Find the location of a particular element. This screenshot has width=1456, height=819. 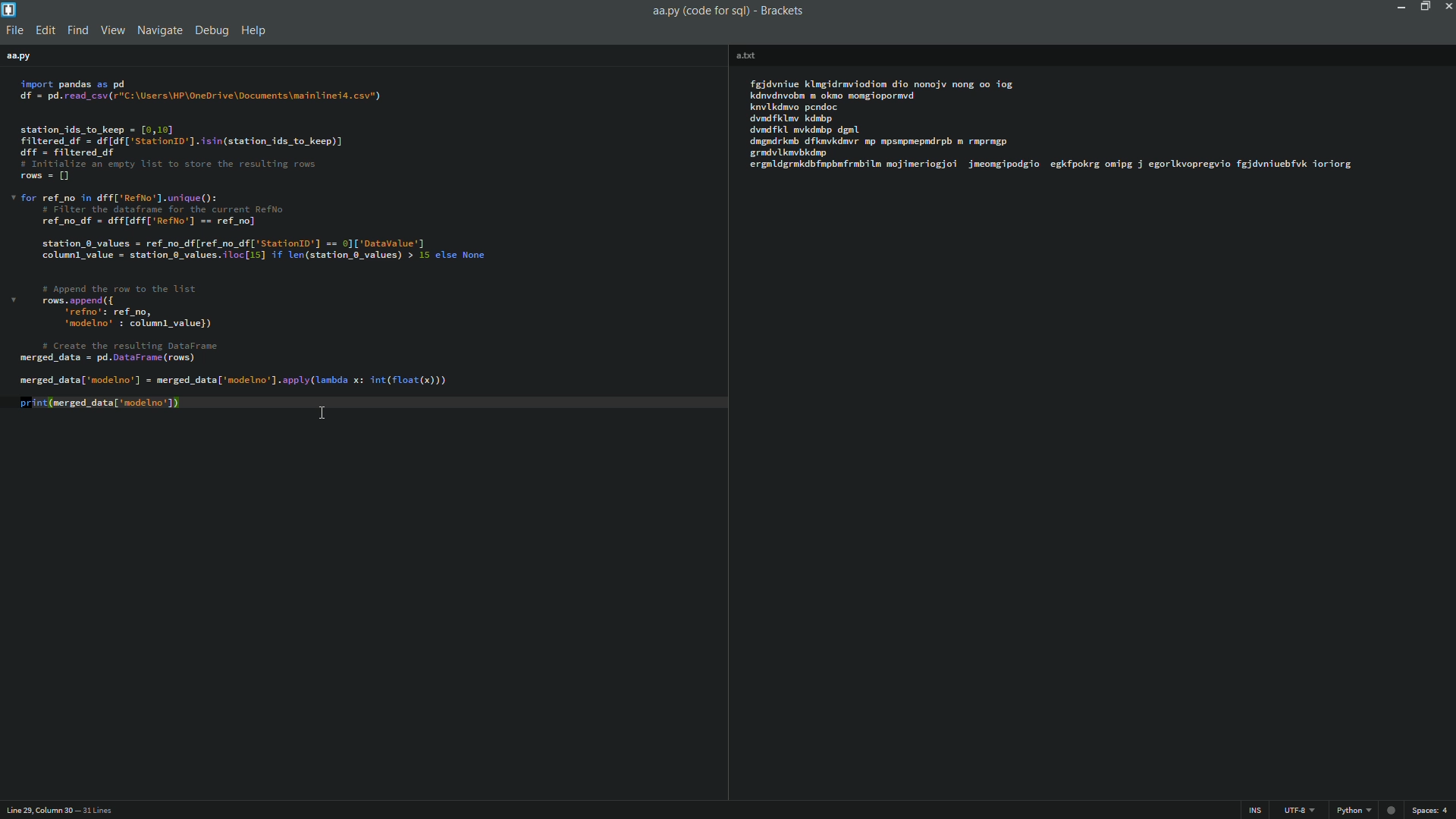

debug menu is located at coordinates (212, 31).